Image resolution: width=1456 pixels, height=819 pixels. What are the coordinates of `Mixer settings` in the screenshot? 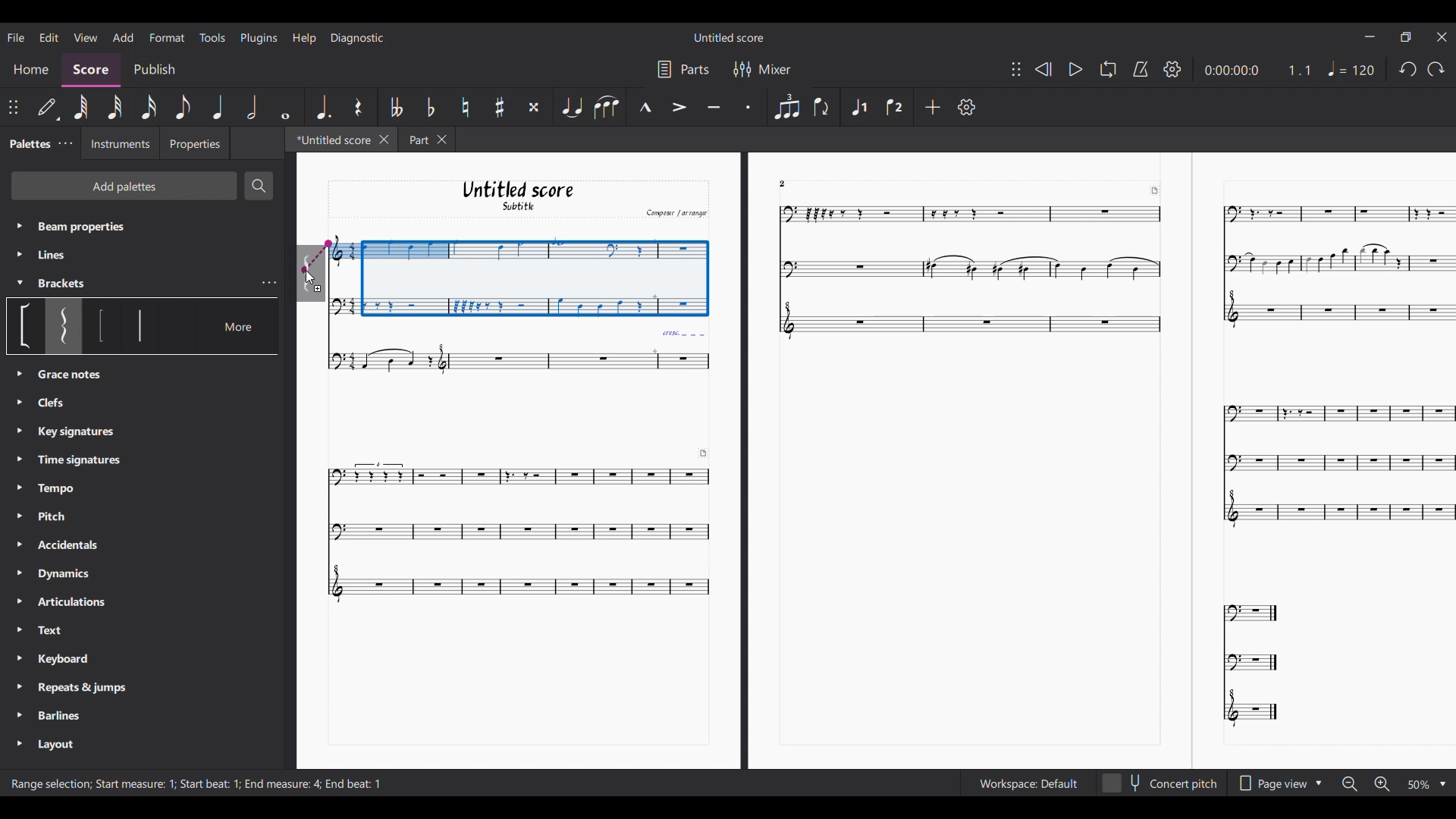 It's located at (775, 69).